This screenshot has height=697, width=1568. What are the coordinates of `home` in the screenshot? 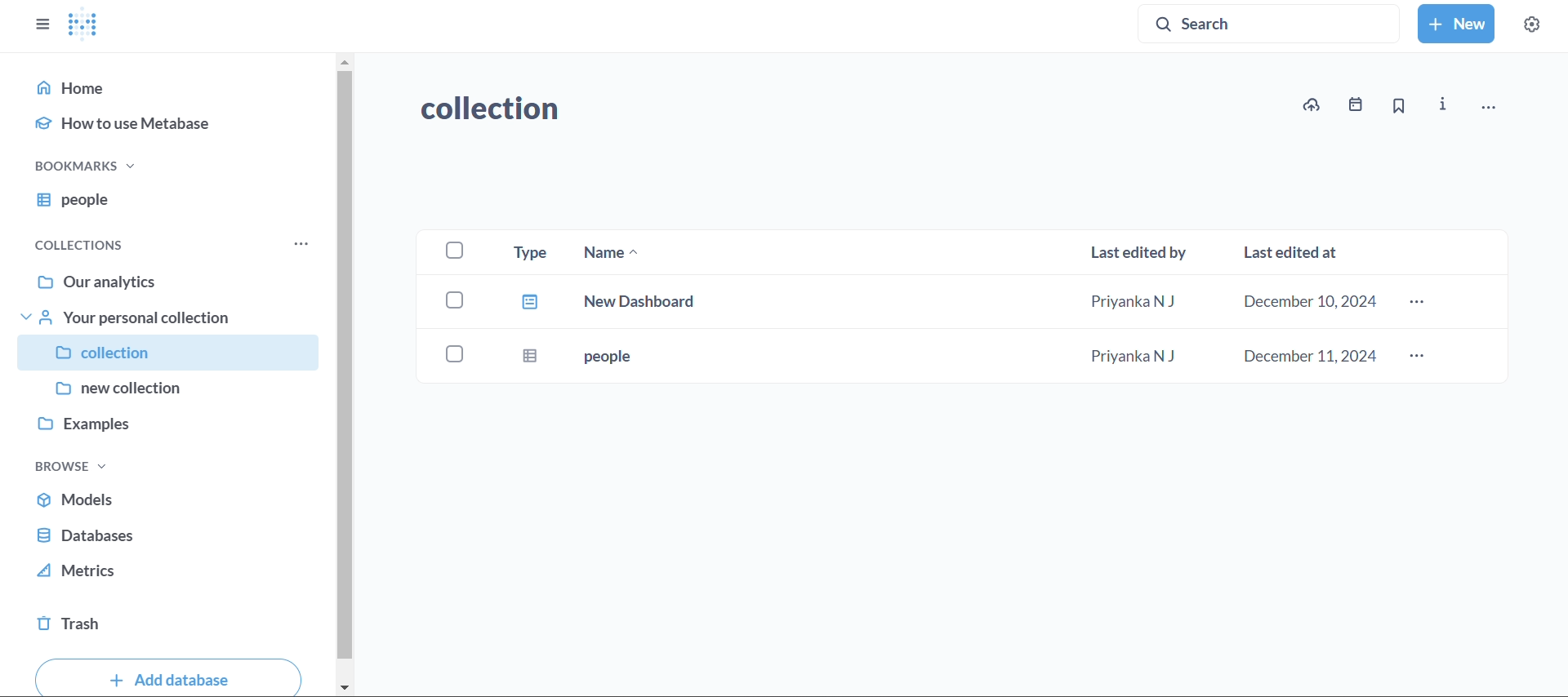 It's located at (168, 87).